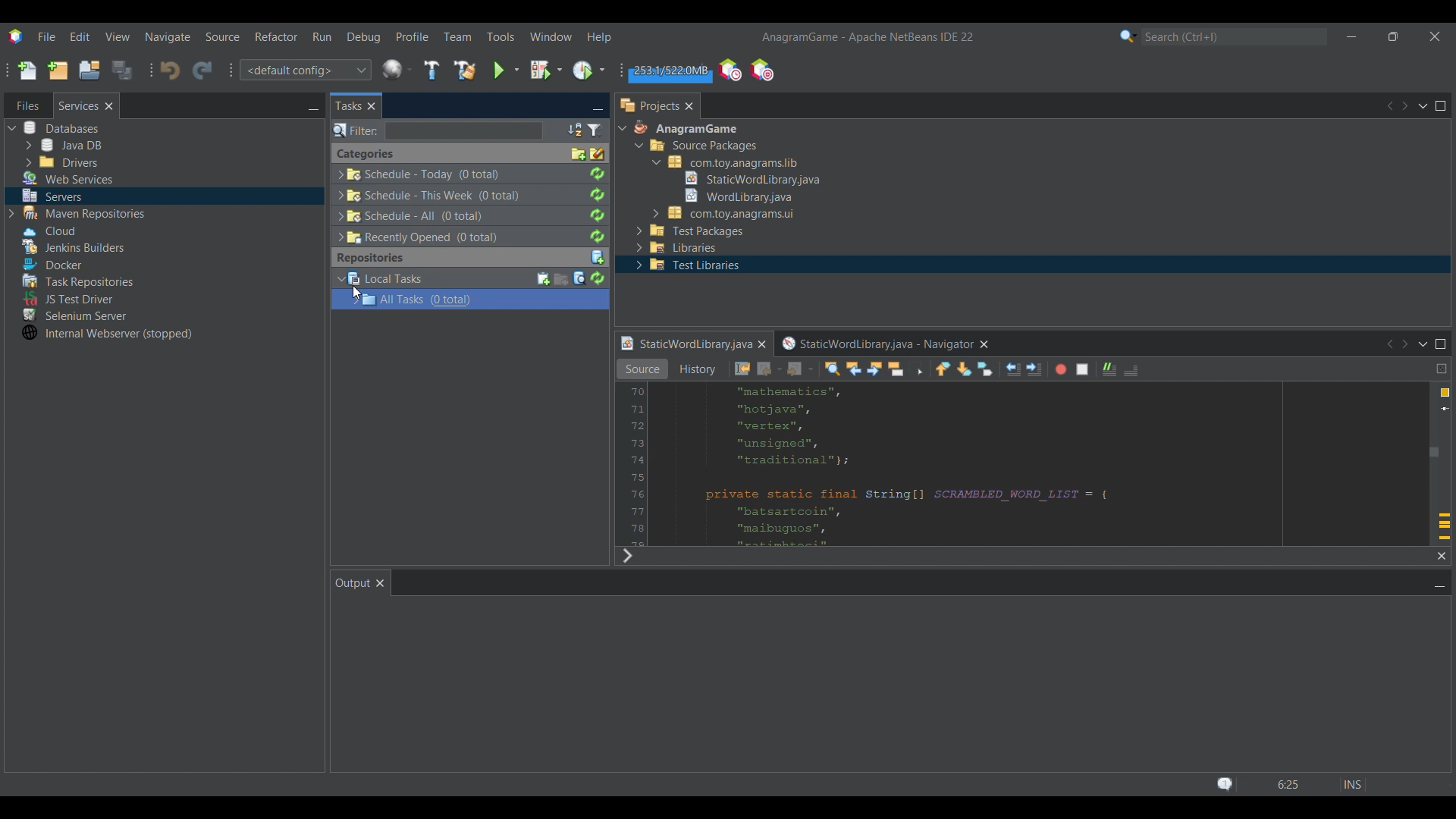  Describe the element at coordinates (437, 130) in the screenshot. I see `` at that location.